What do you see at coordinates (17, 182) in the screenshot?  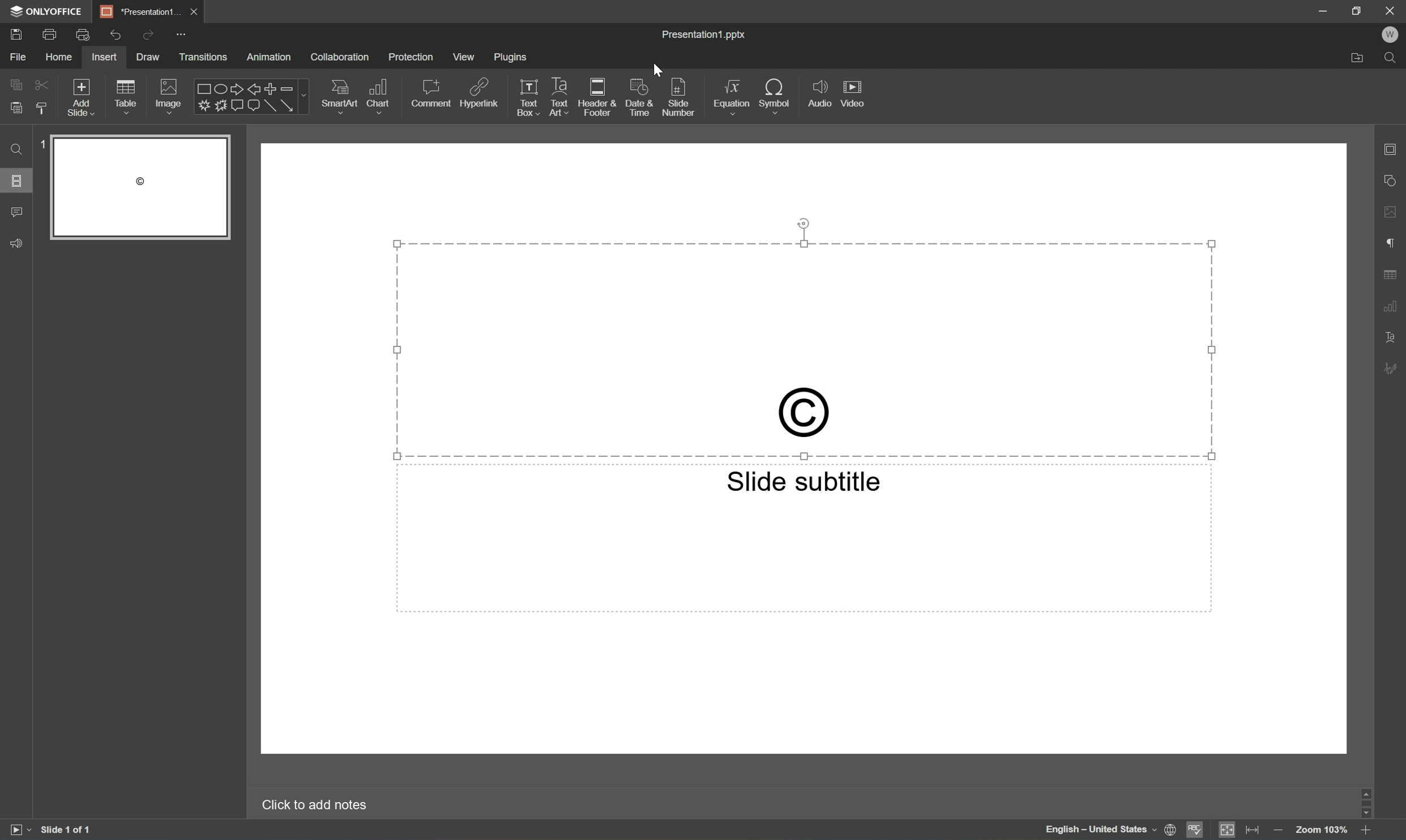 I see `Slides` at bounding box center [17, 182].